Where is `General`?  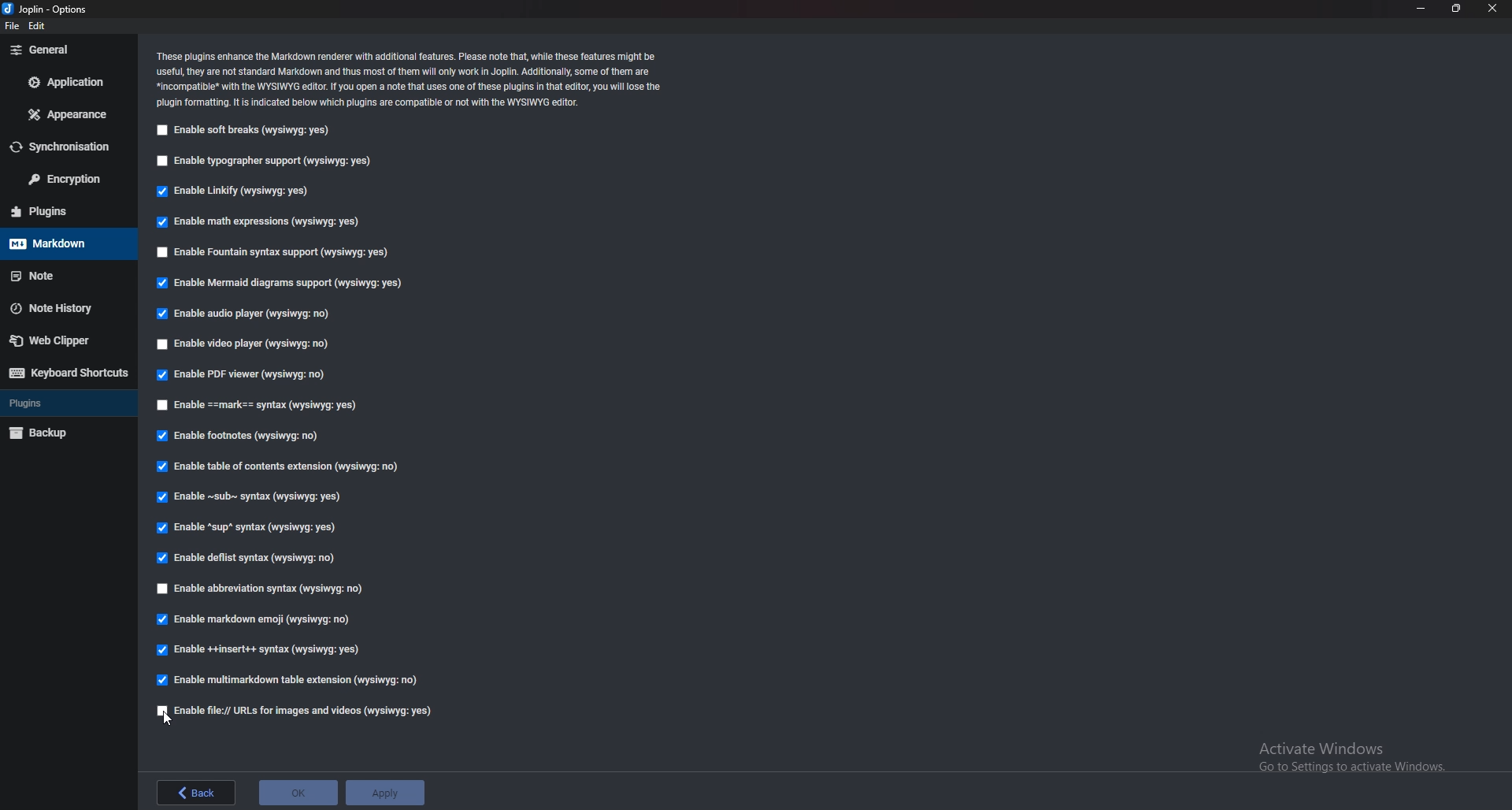 General is located at coordinates (63, 50).